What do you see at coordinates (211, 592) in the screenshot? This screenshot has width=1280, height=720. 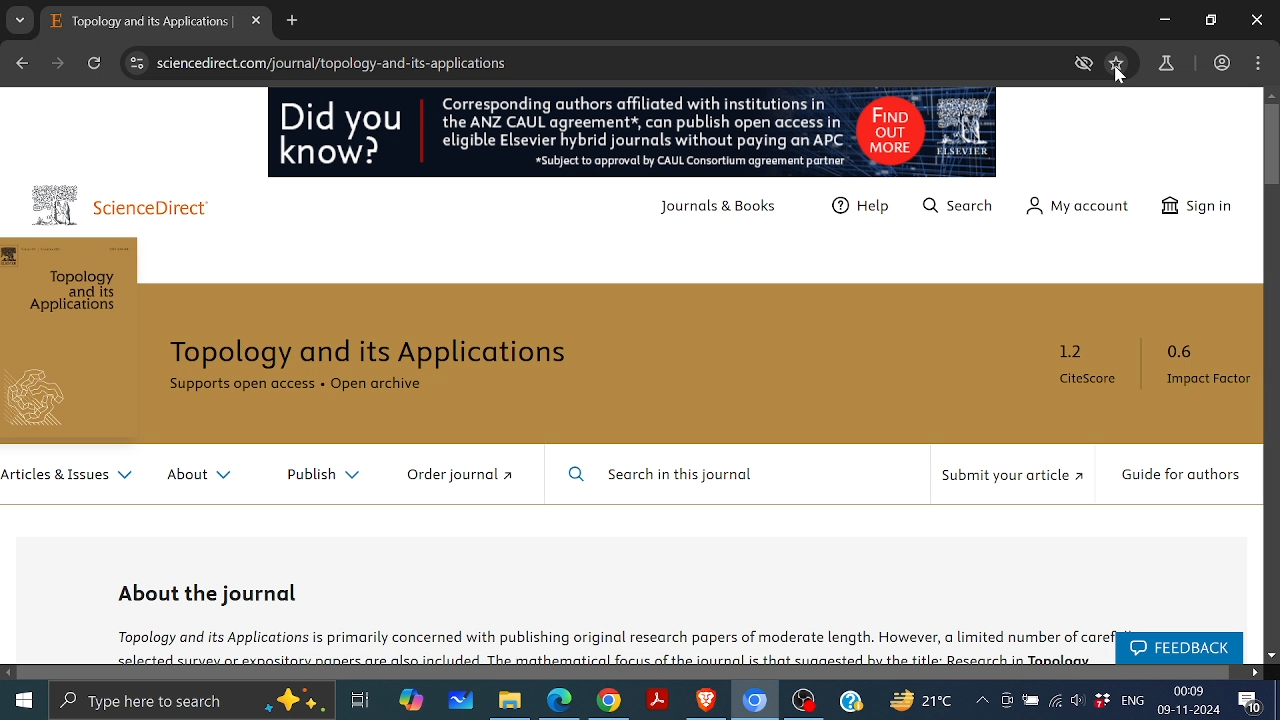 I see `about the journal` at bounding box center [211, 592].